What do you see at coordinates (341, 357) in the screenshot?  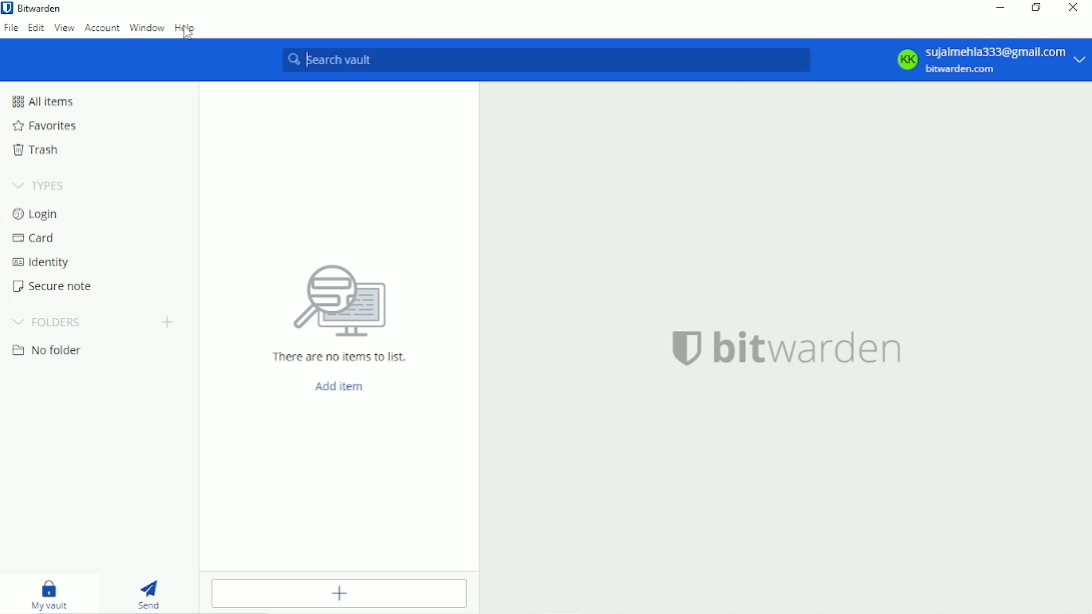 I see `There are no items to list.` at bounding box center [341, 357].